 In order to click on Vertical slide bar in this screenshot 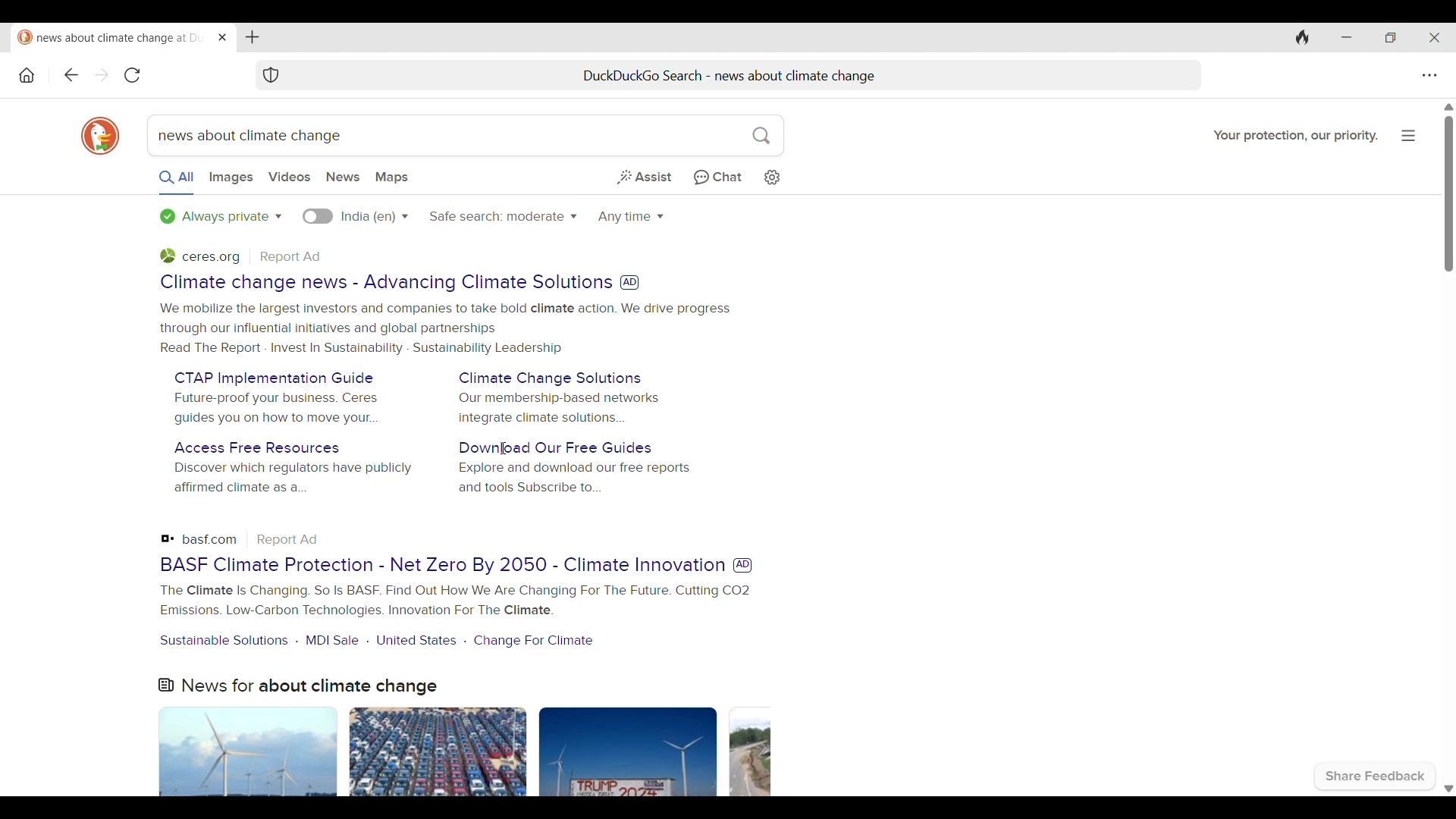, I will do `click(1451, 194)`.